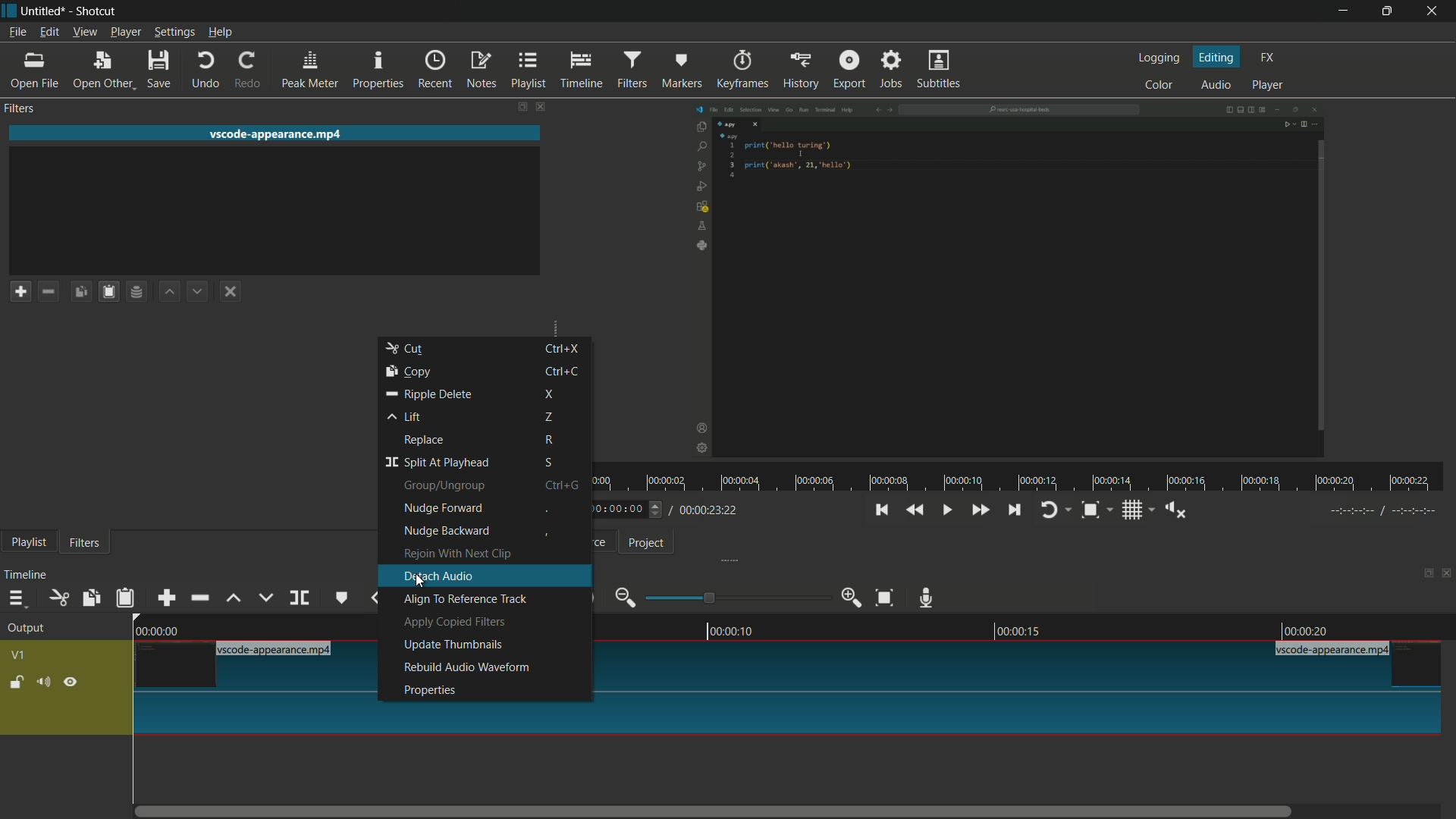  I want to click on append, so click(169, 598).